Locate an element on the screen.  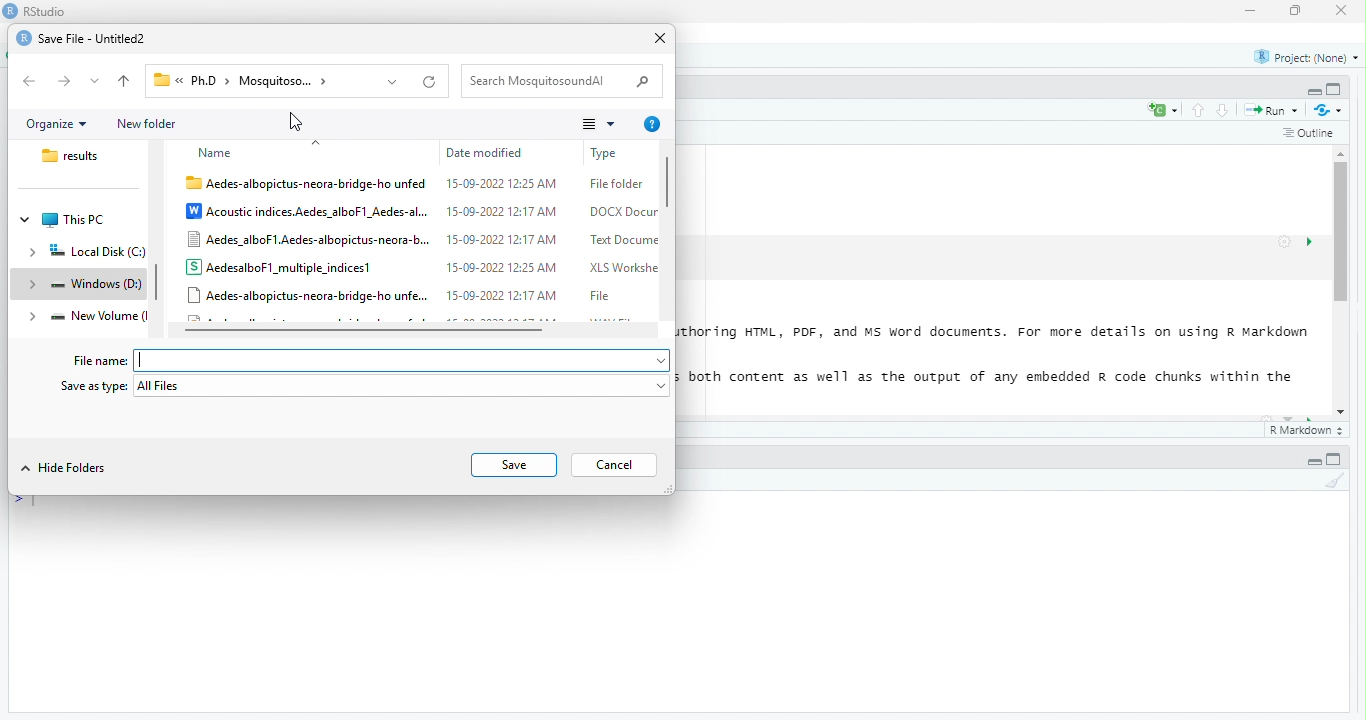
logo is located at coordinates (24, 38).